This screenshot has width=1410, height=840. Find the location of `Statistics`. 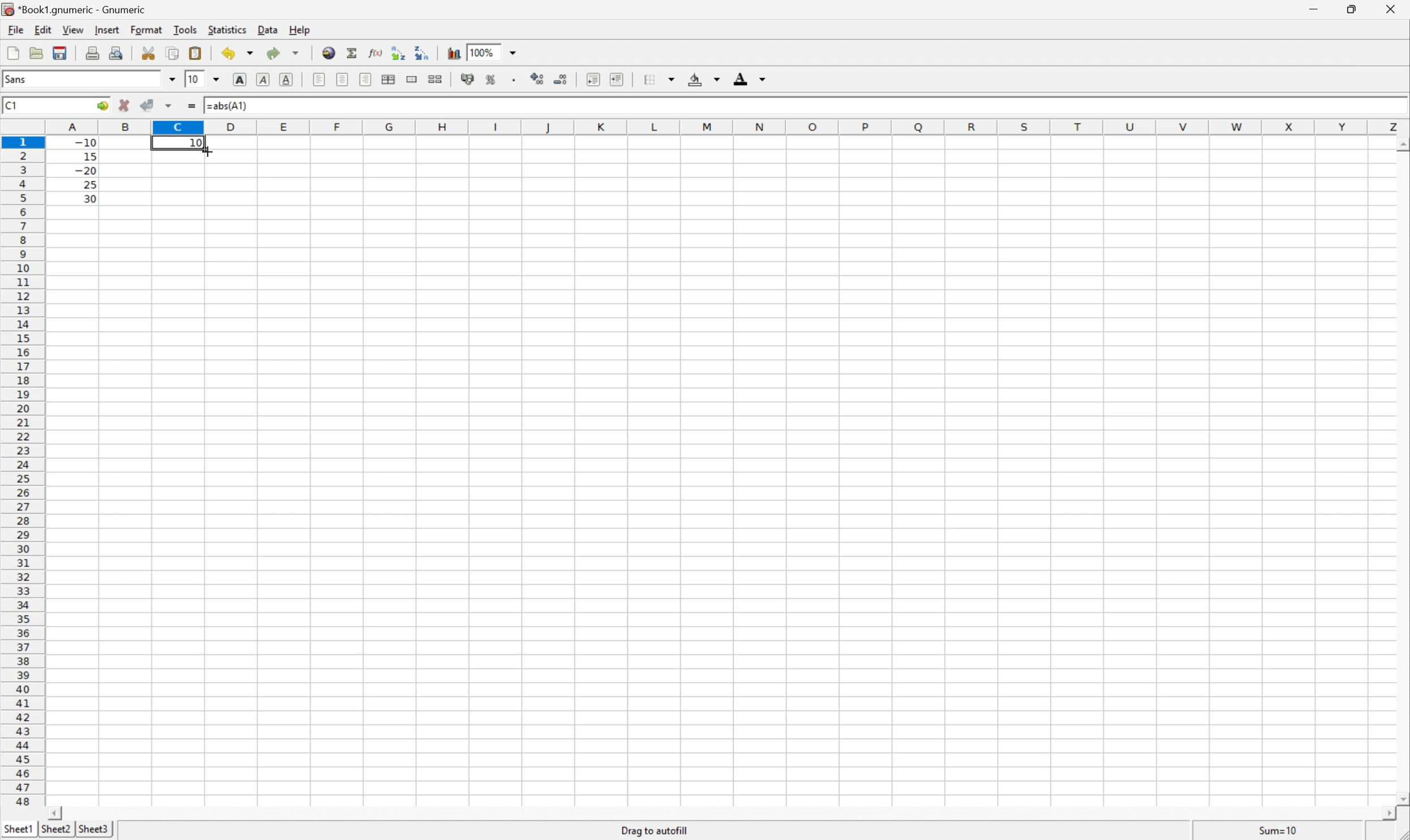

Statistics is located at coordinates (226, 30).